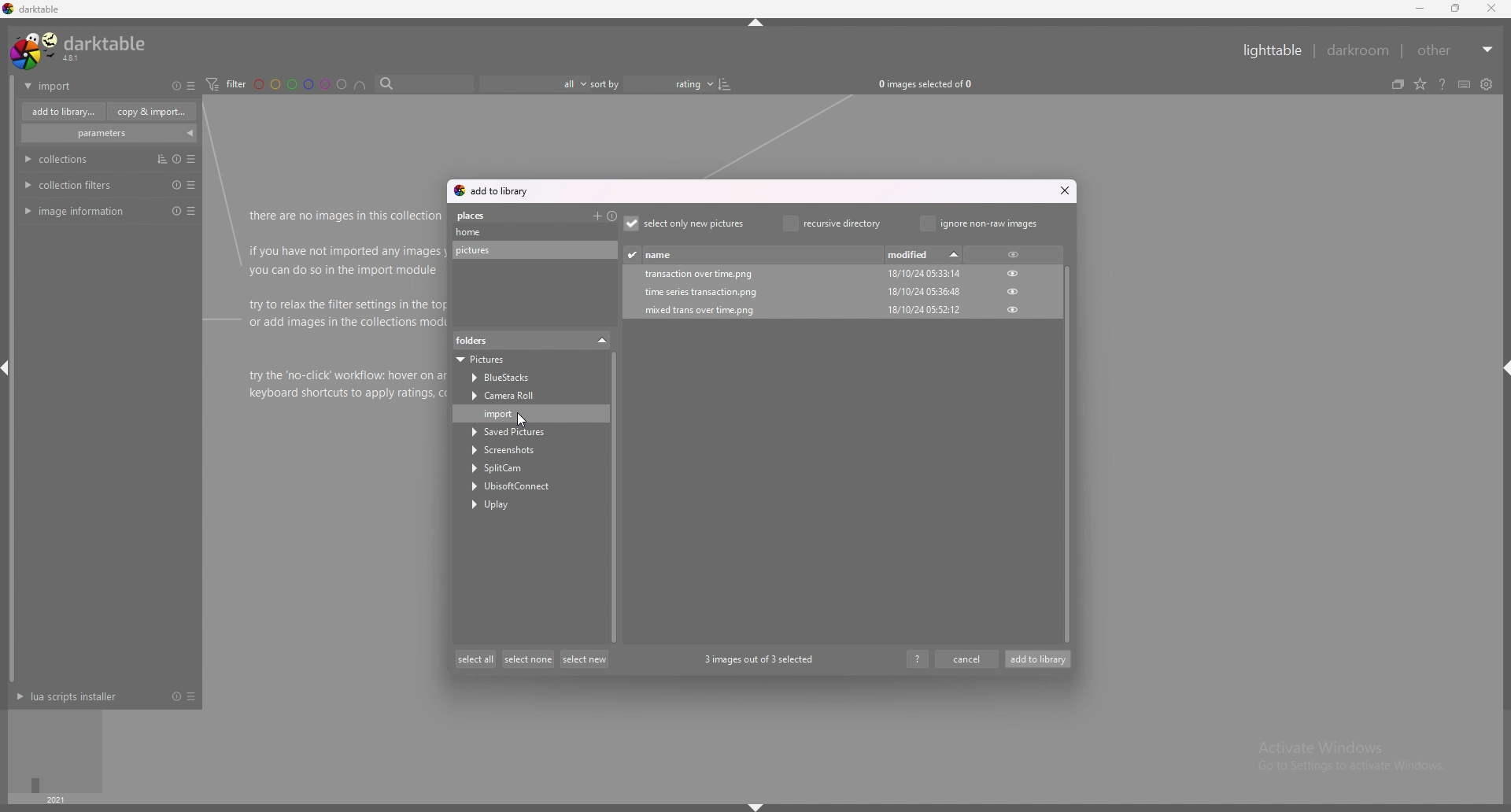  Describe the element at coordinates (614, 496) in the screenshot. I see `scroll bar` at that location.